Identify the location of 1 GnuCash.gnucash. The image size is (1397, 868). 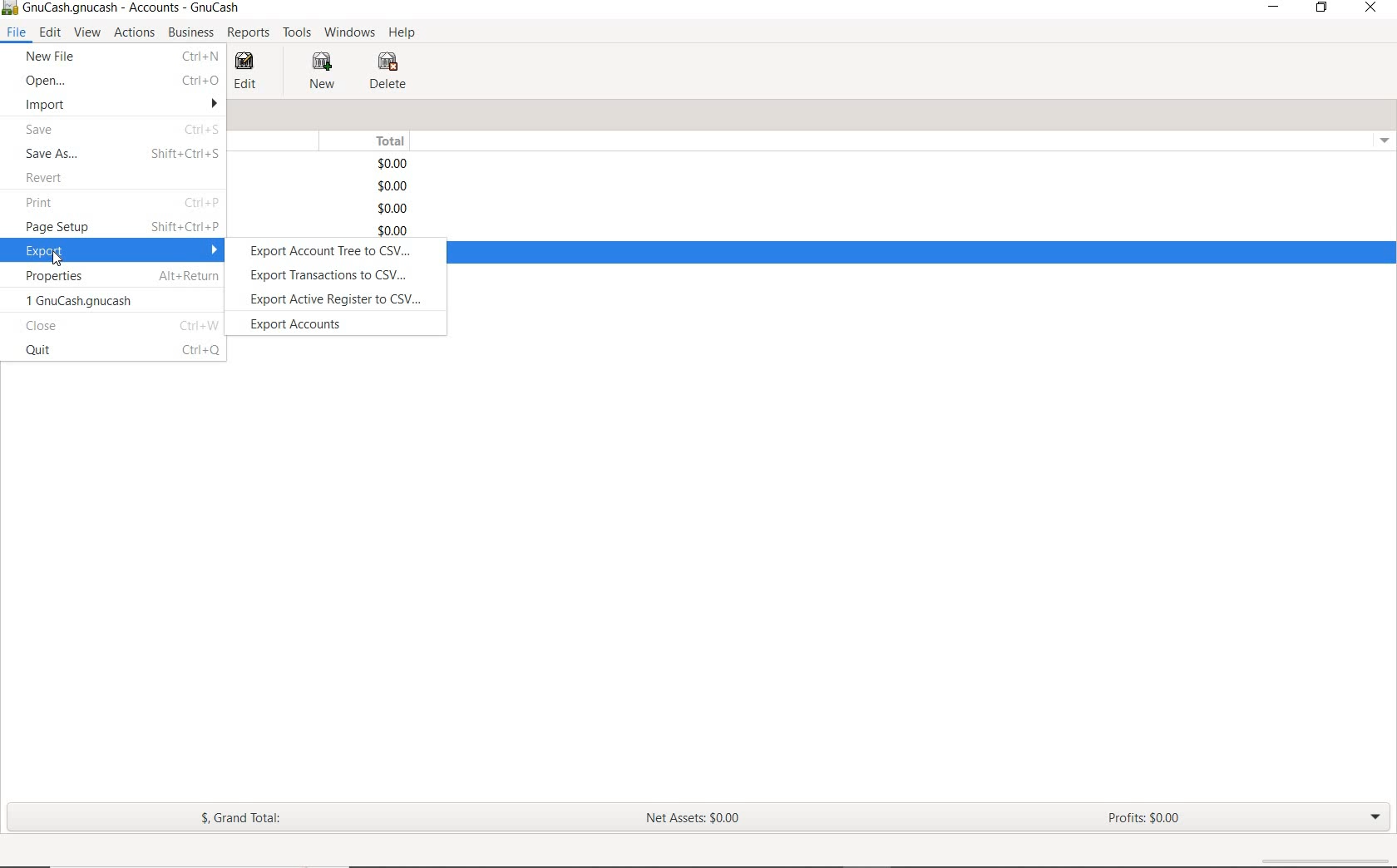
(80, 301).